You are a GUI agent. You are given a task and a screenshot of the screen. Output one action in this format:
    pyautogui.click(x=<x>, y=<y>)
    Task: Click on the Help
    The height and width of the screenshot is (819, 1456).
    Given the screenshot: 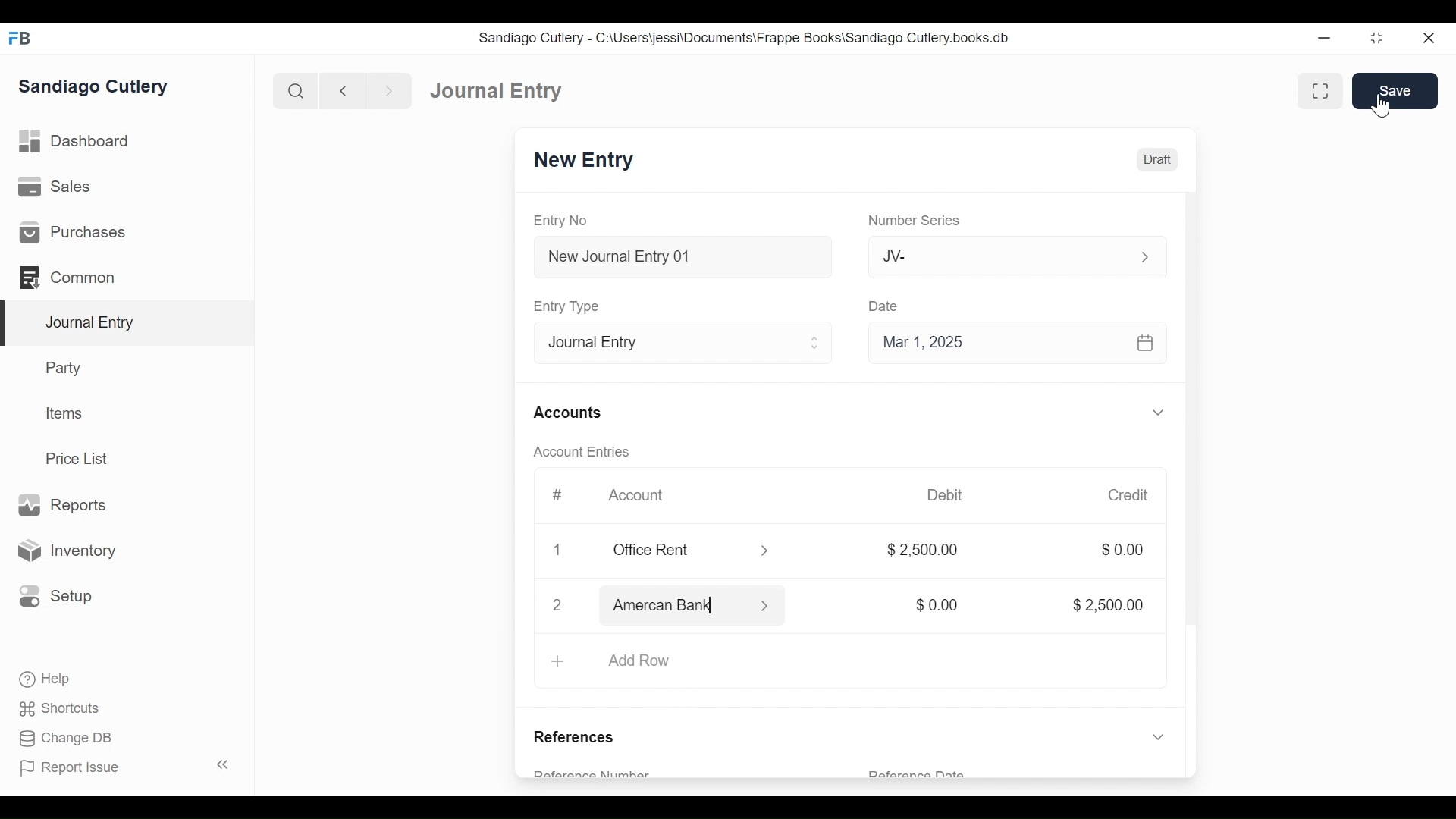 What is the action you would take?
    pyautogui.click(x=38, y=680)
    